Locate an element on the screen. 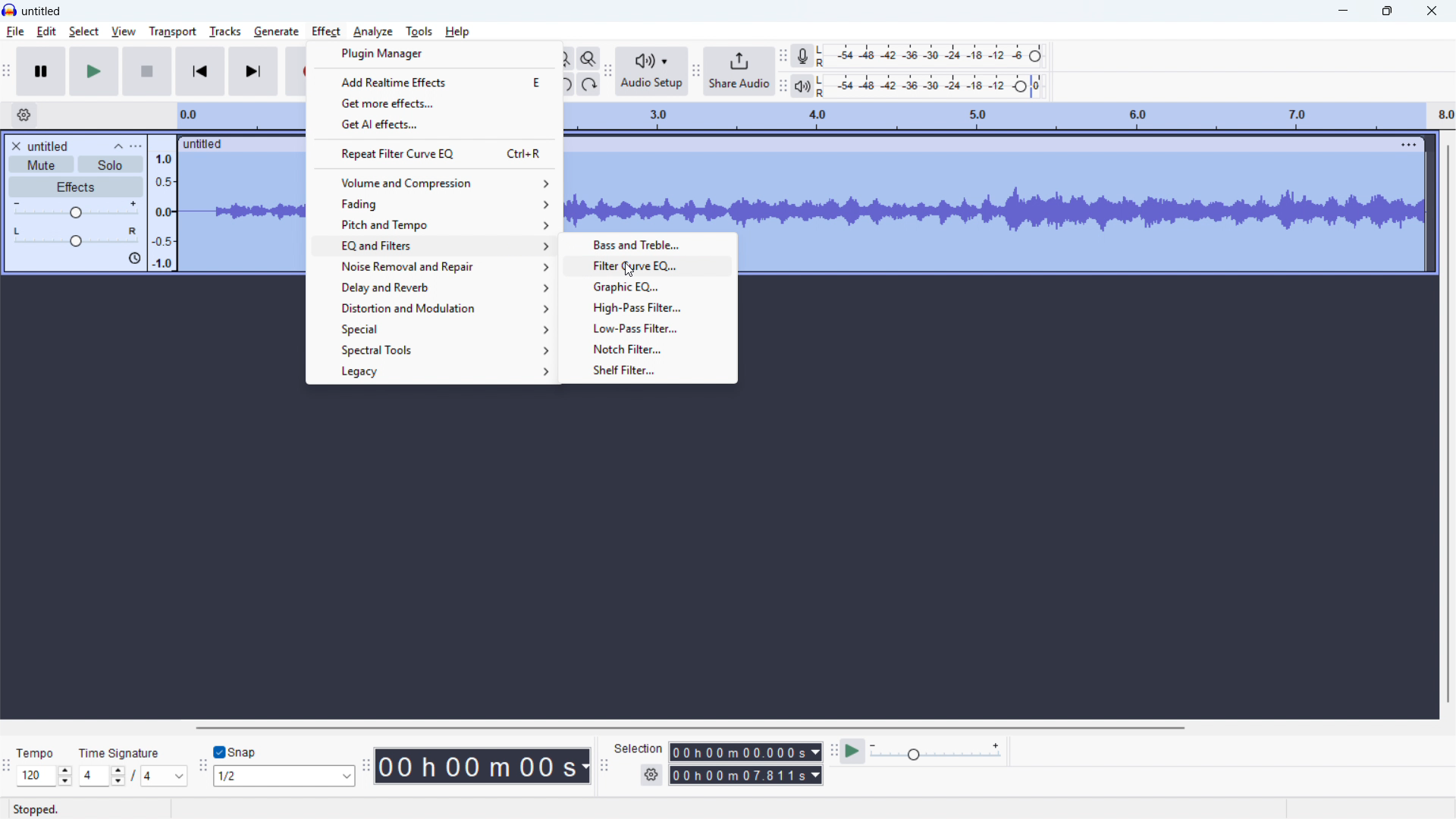 This screenshot has width=1456, height=819. set Time signature is located at coordinates (134, 776).